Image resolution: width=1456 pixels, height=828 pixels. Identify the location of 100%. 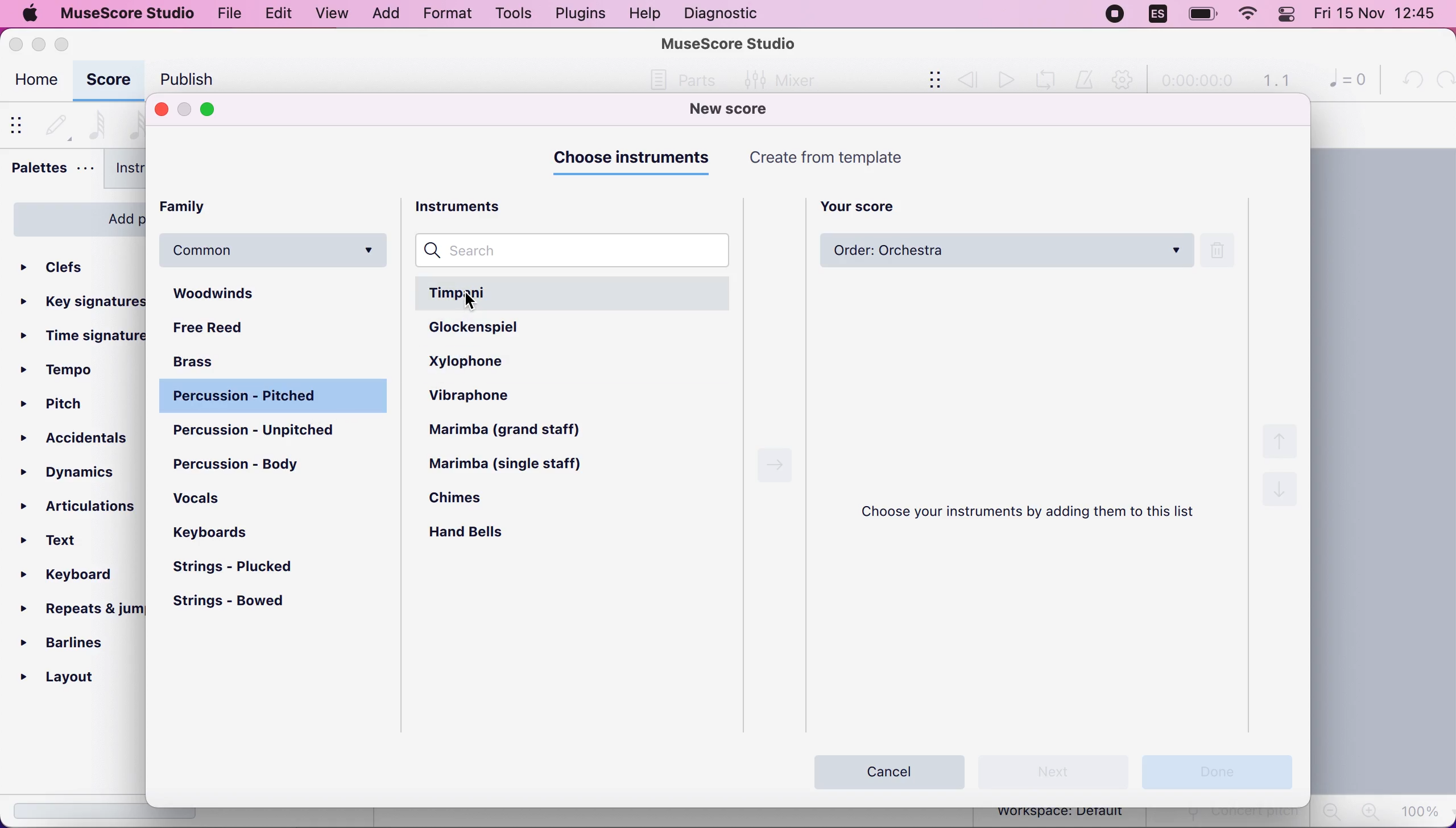
(1422, 810).